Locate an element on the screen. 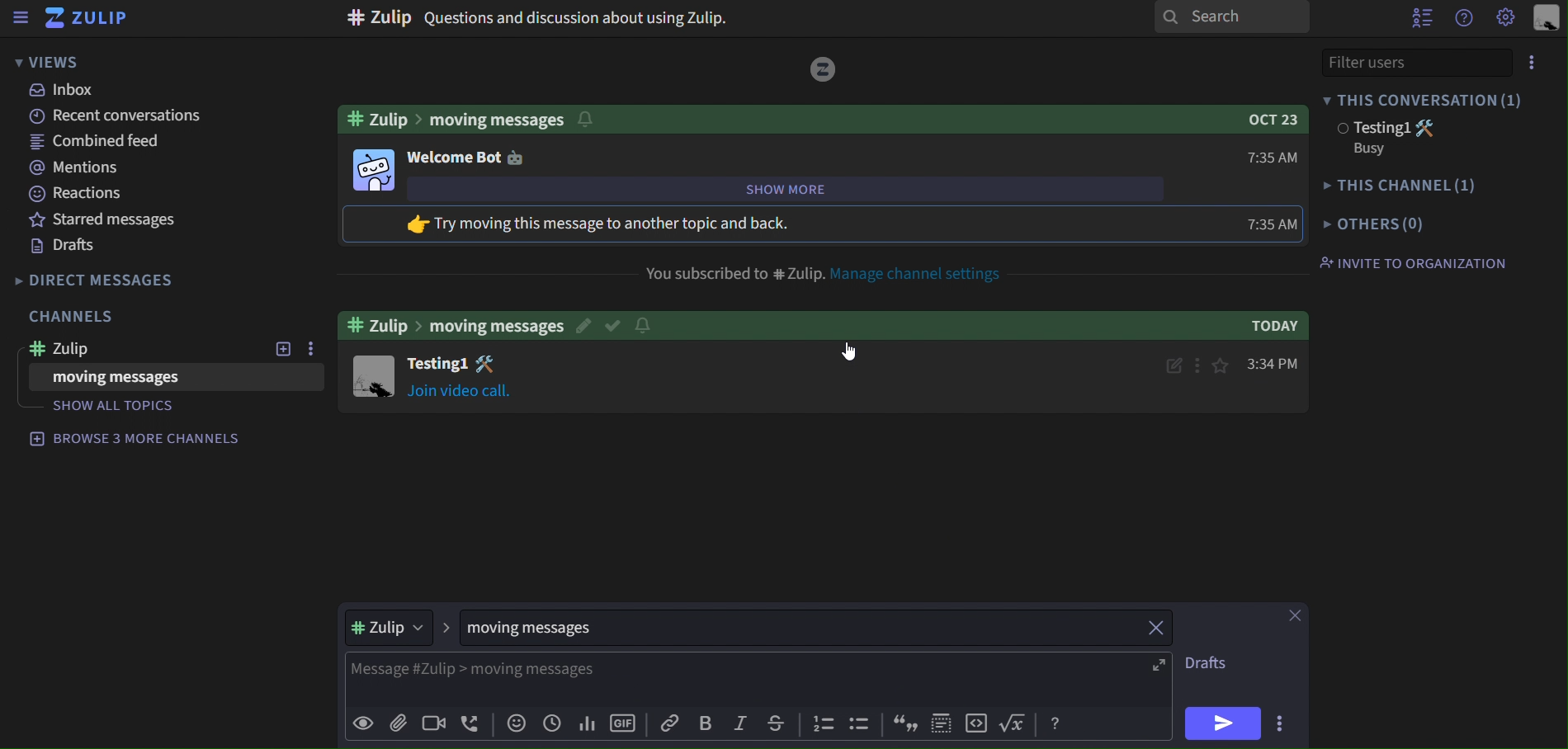 This screenshot has width=1568, height=749. try moving message to another topic and back is located at coordinates (631, 224).